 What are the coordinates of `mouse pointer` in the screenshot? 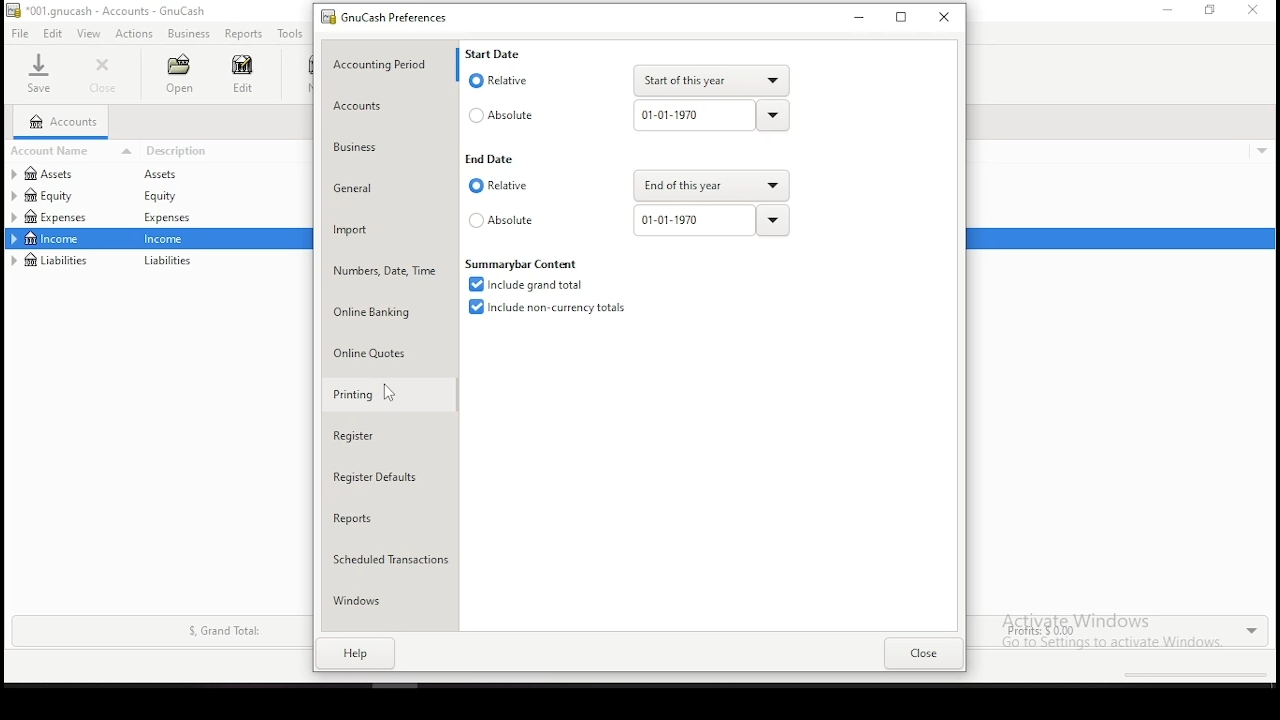 It's located at (386, 392).